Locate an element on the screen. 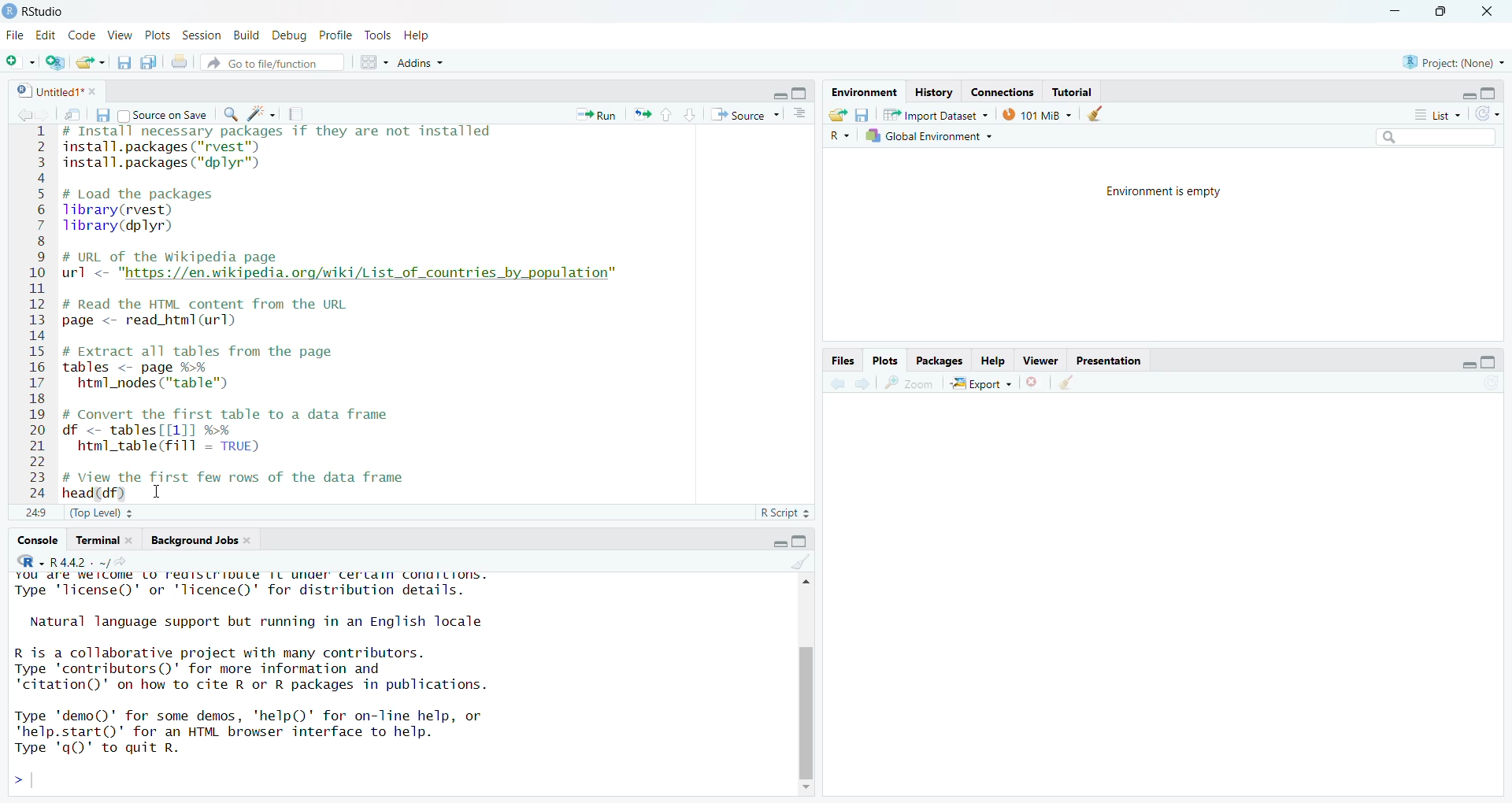  up is located at coordinates (668, 115).